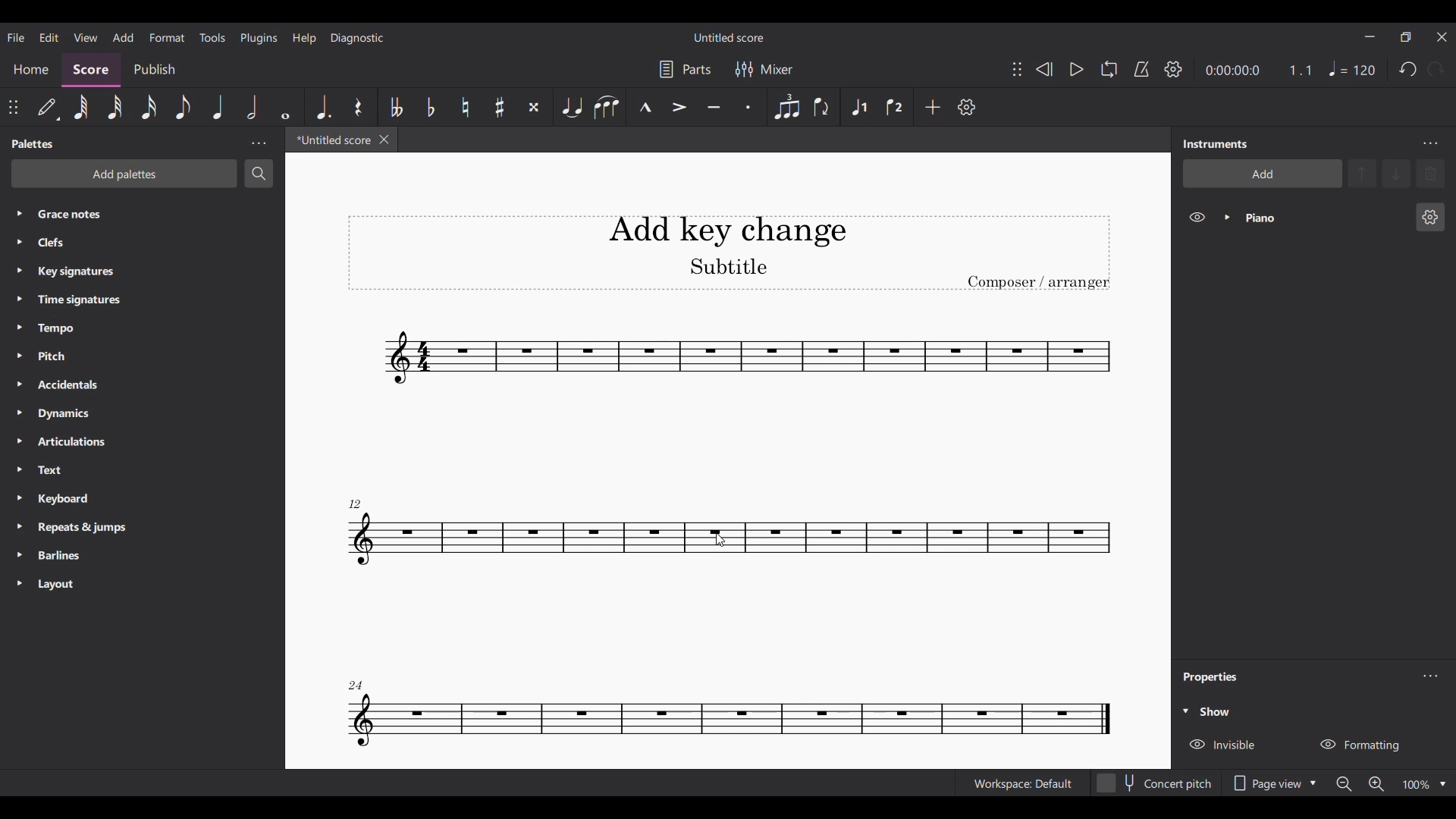  What do you see at coordinates (730, 253) in the screenshot?
I see `Score title, sub-title and composor name` at bounding box center [730, 253].